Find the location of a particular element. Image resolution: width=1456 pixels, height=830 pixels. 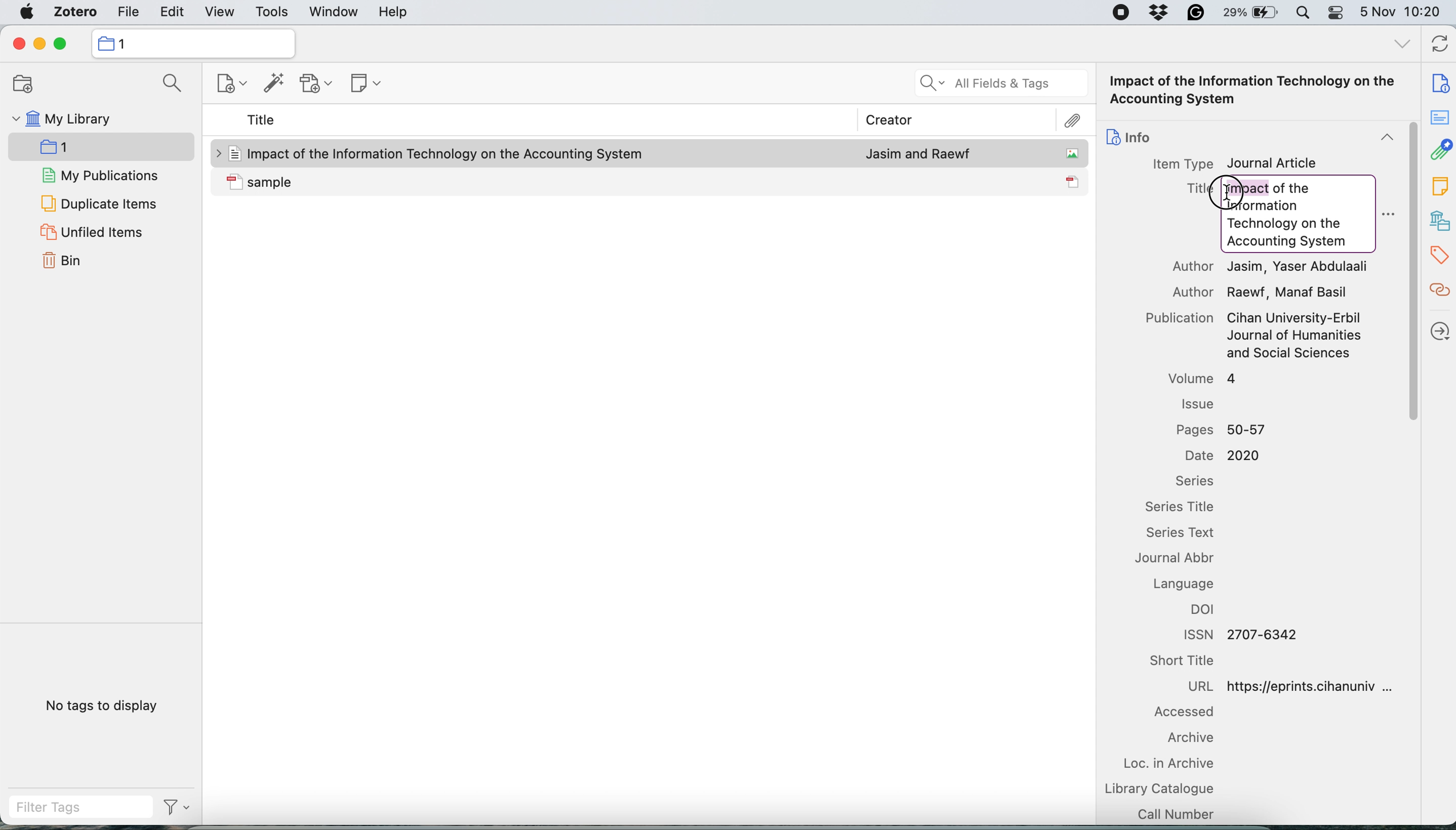

search is located at coordinates (174, 83).